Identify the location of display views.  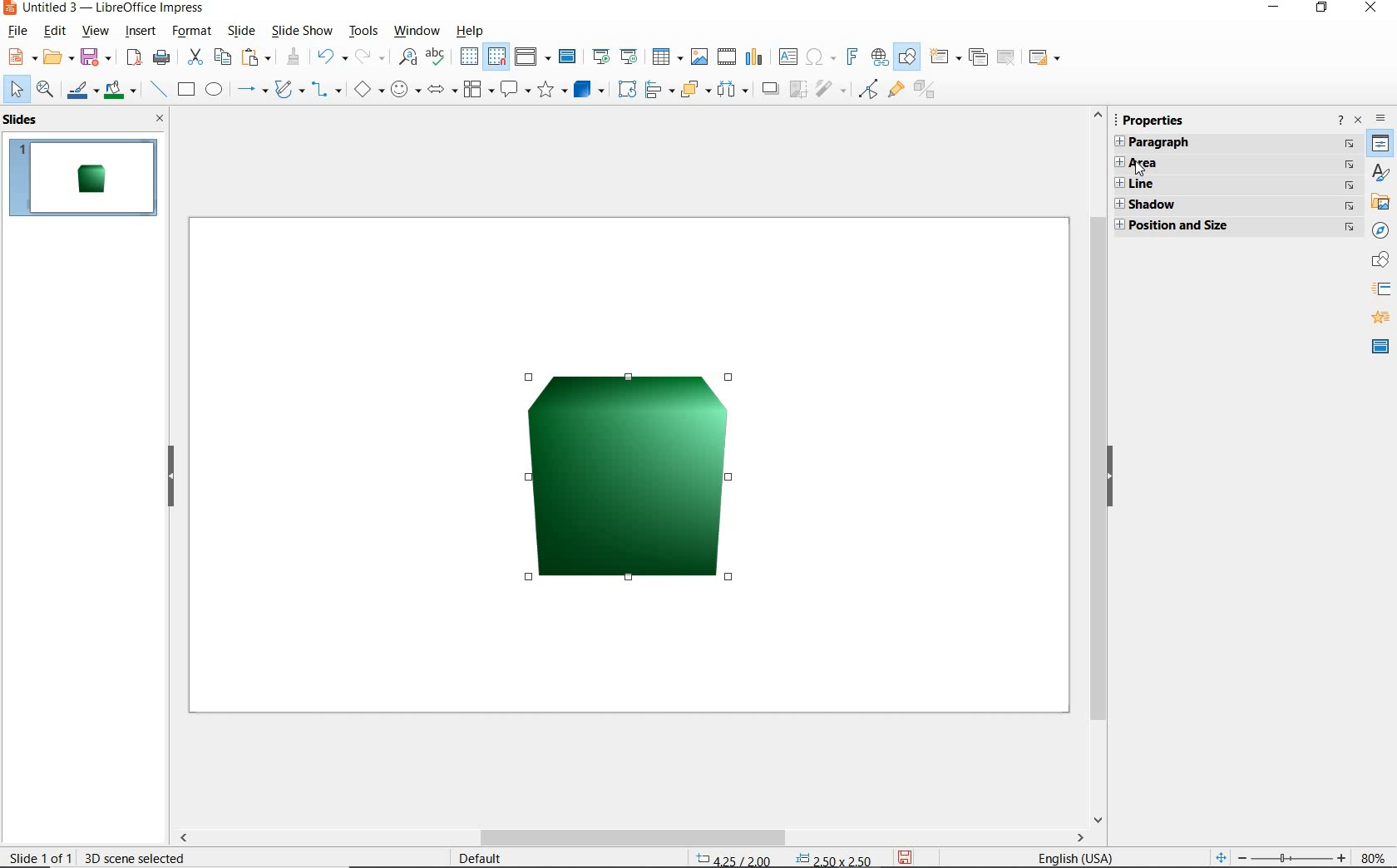
(533, 57).